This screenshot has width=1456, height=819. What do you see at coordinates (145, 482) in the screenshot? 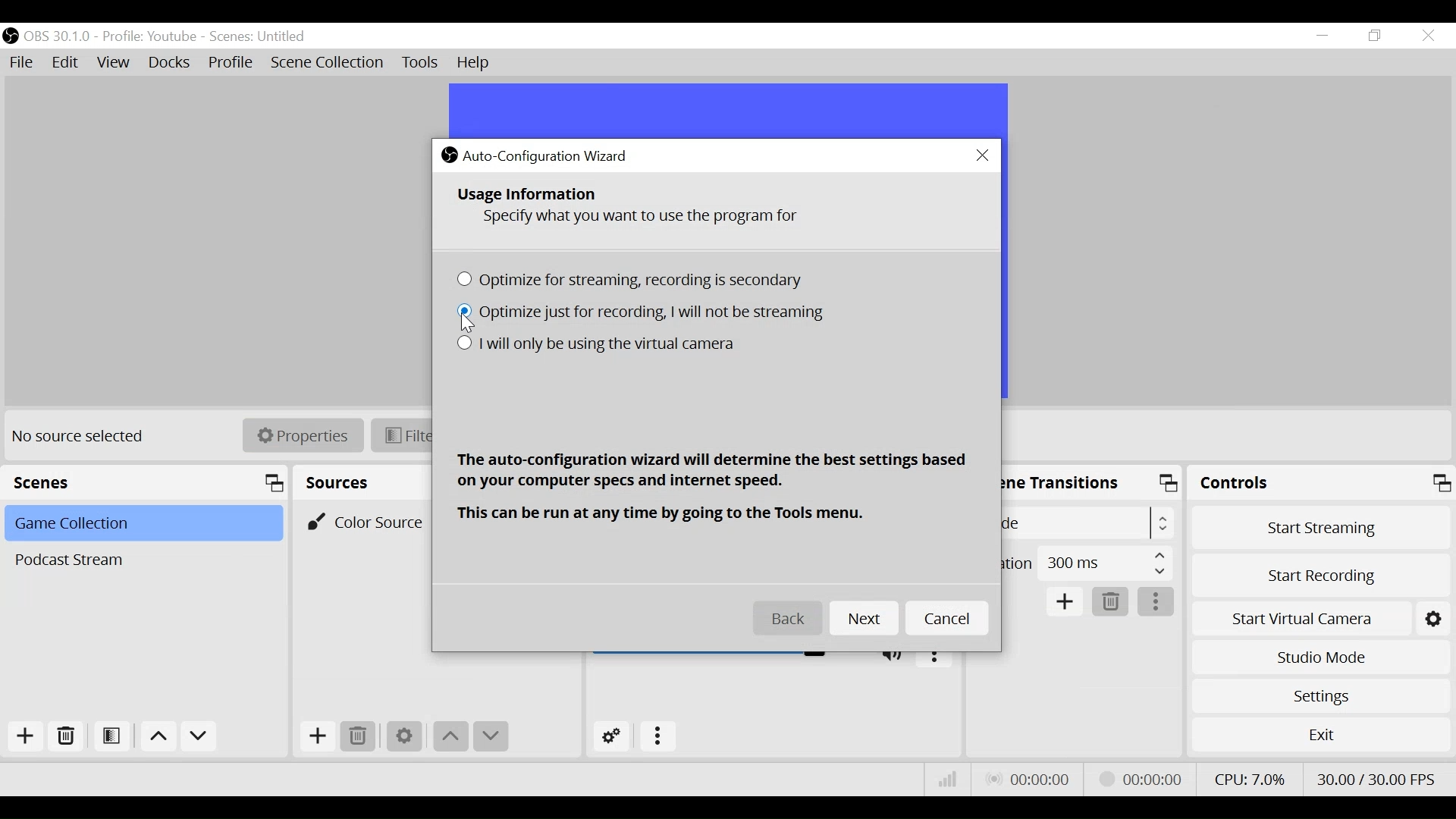
I see `Scenes Panel` at bounding box center [145, 482].